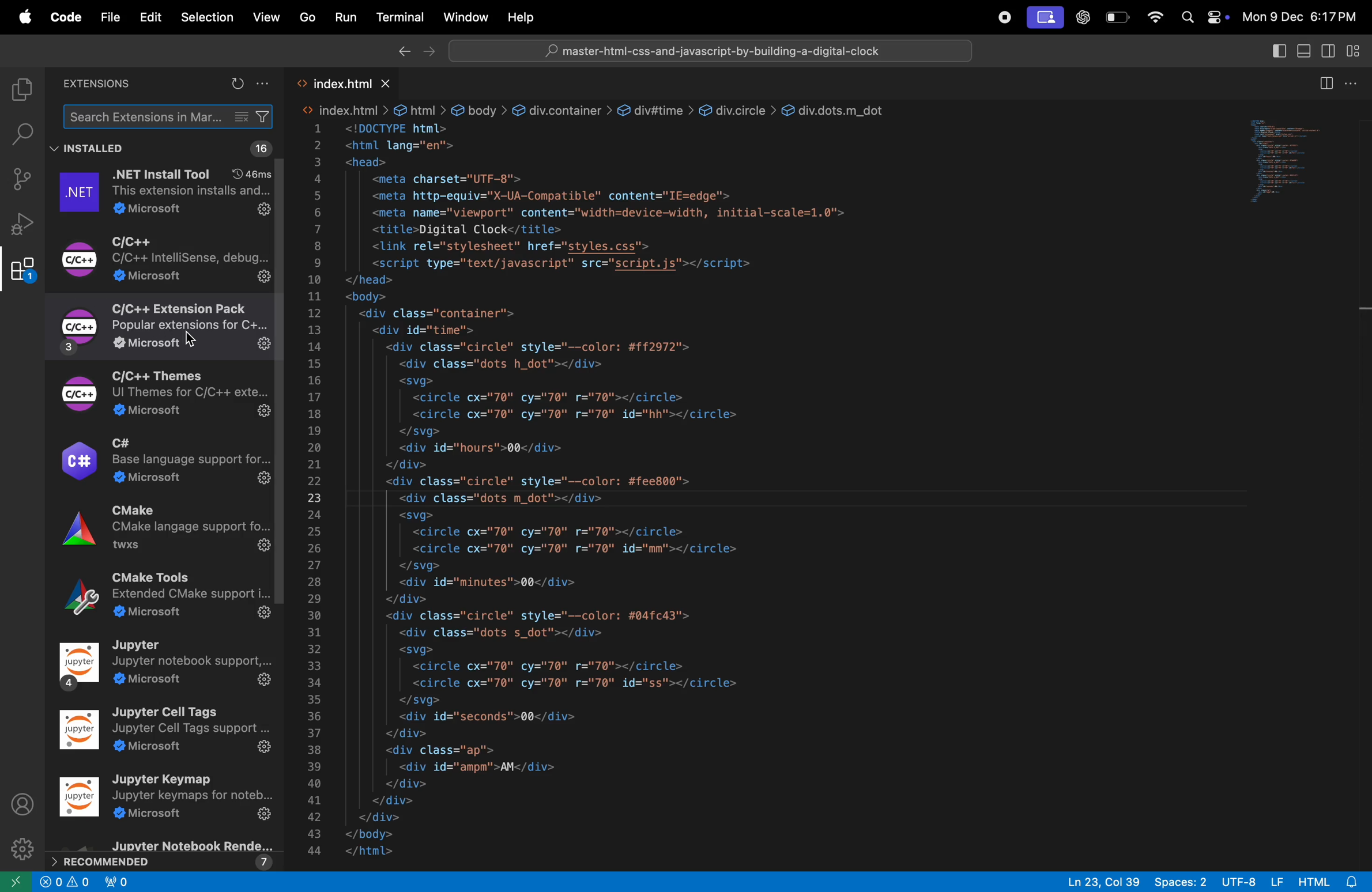  Describe the element at coordinates (166, 667) in the screenshot. I see `jupyter note book extensions` at that location.